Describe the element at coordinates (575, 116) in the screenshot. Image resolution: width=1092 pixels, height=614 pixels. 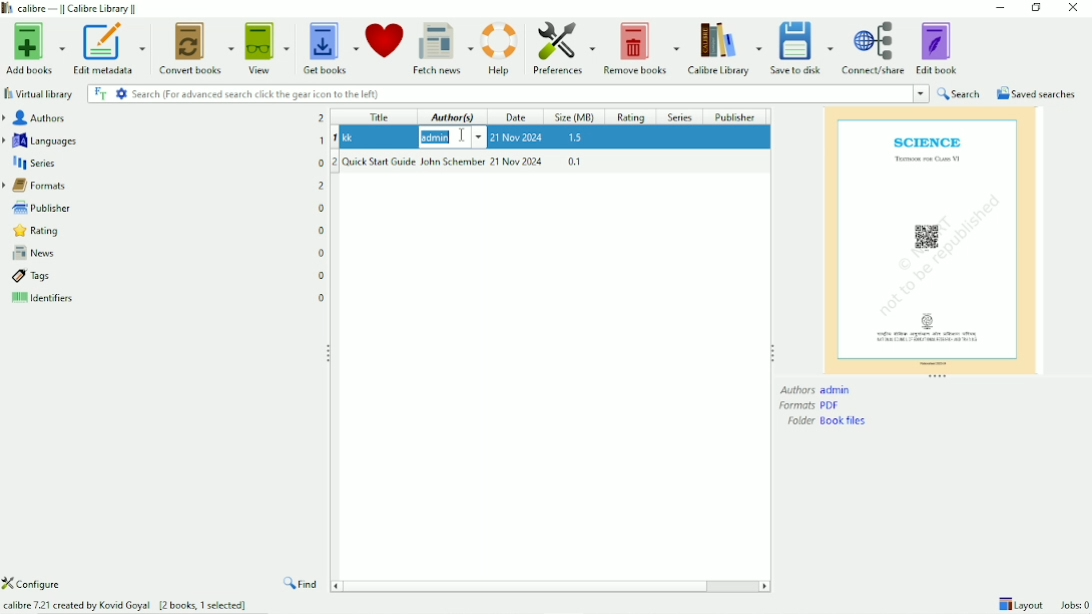
I see `Size` at that location.